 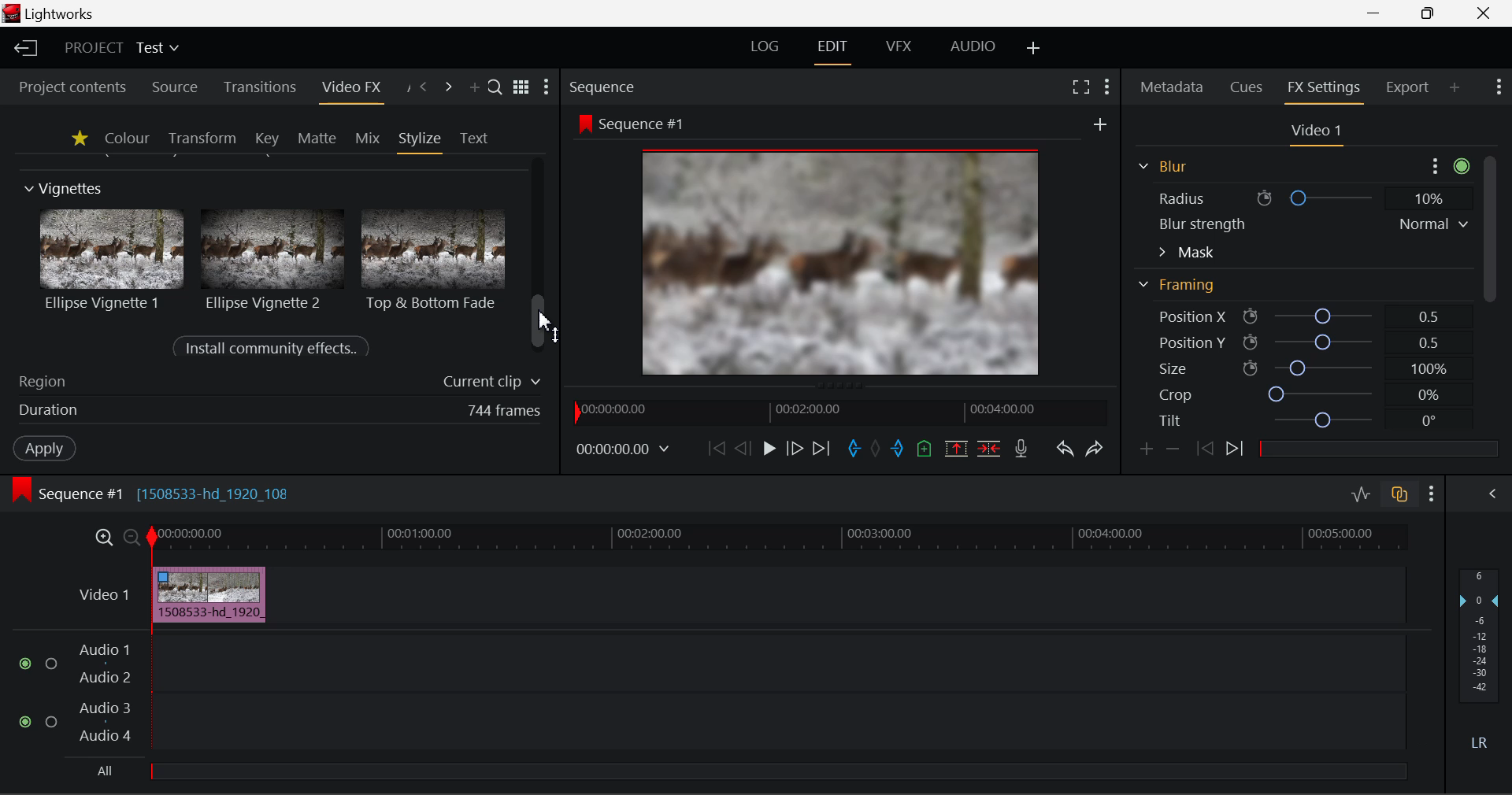 I want to click on more options, so click(x=1446, y=164).